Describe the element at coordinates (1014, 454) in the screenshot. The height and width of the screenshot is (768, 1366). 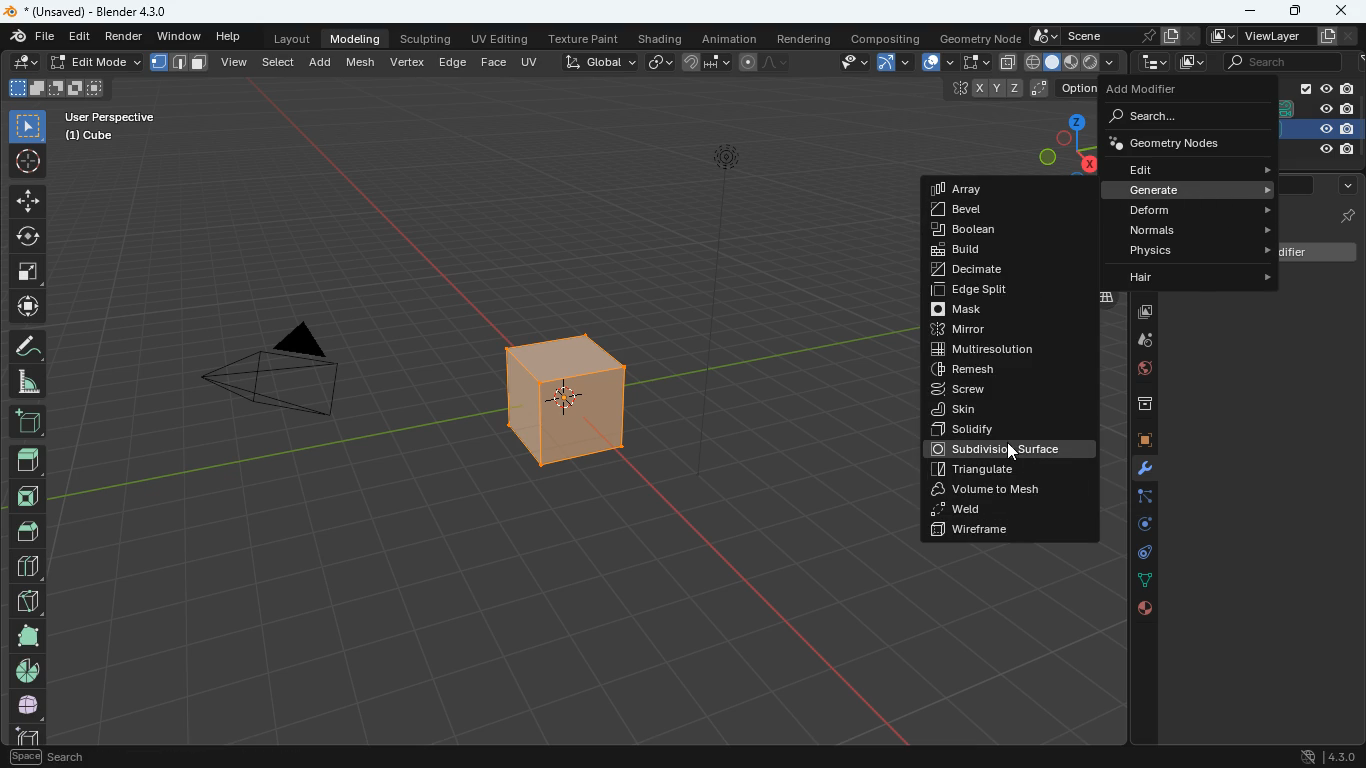
I see `cursor` at that location.